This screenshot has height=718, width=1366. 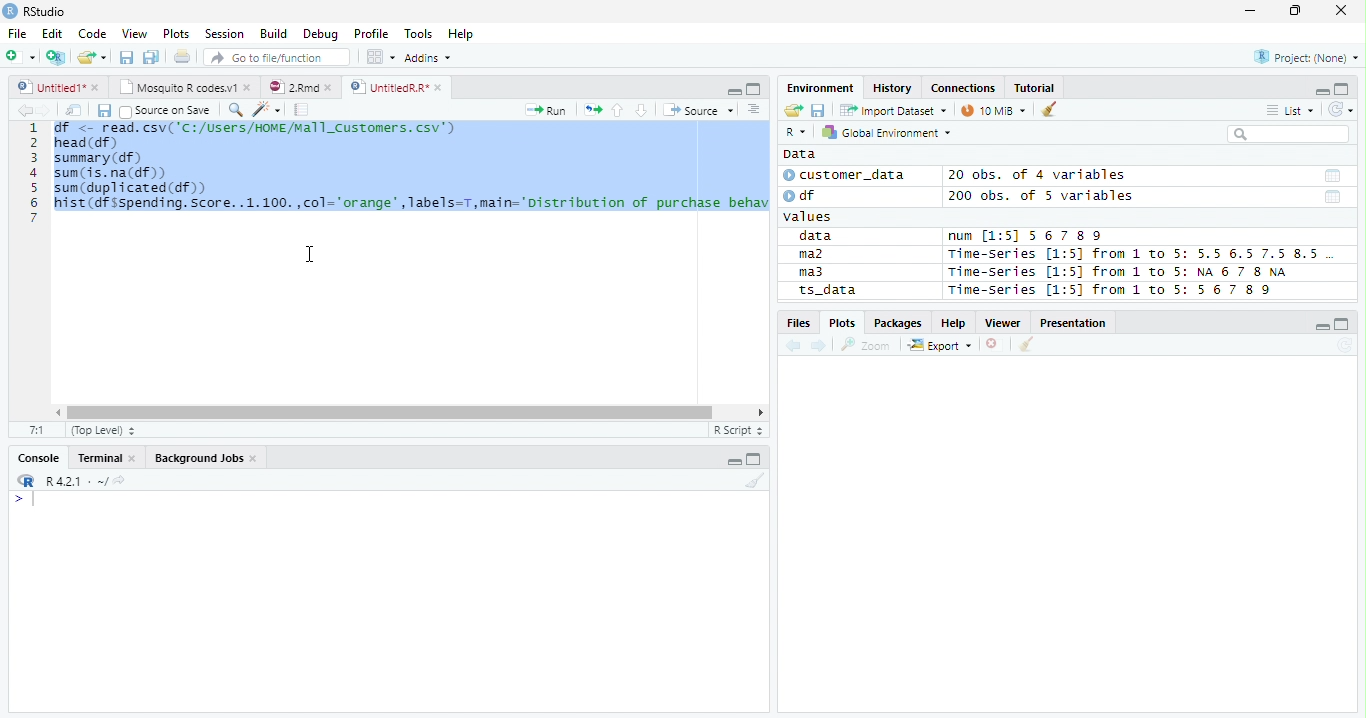 What do you see at coordinates (963, 88) in the screenshot?
I see `Connections` at bounding box center [963, 88].